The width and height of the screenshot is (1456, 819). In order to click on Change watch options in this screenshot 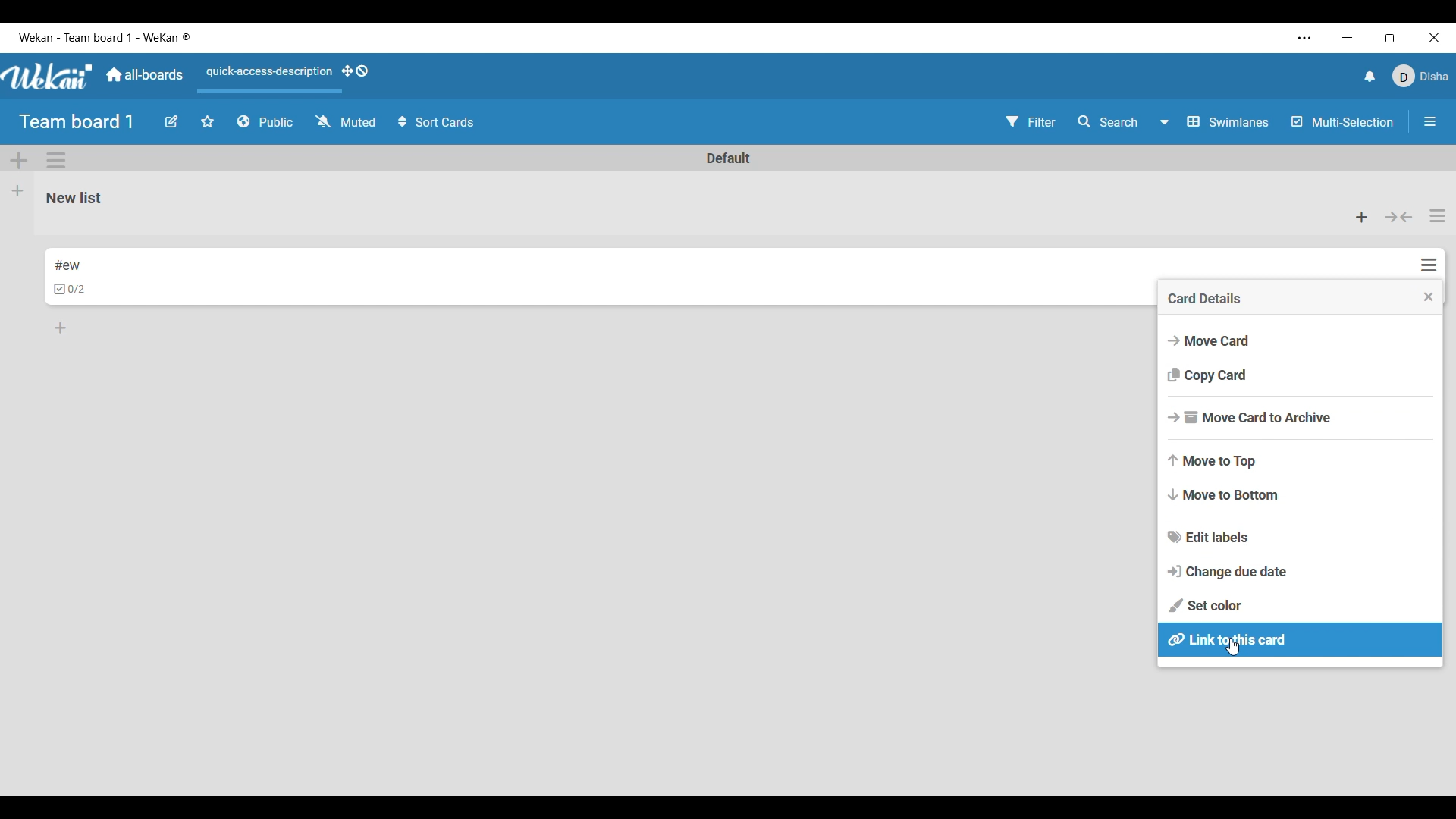, I will do `click(345, 121)`.